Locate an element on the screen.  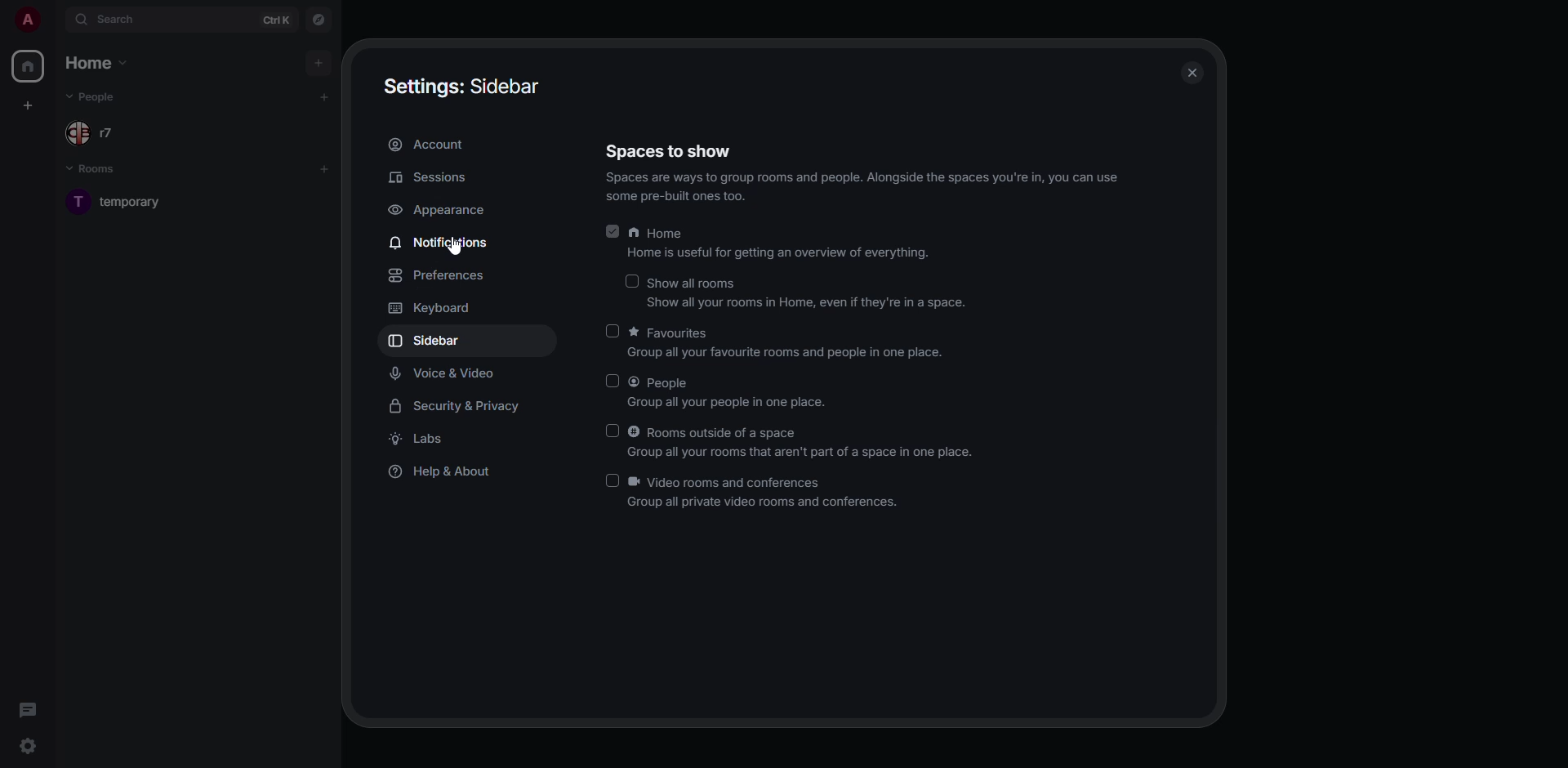
account is located at coordinates (434, 145).